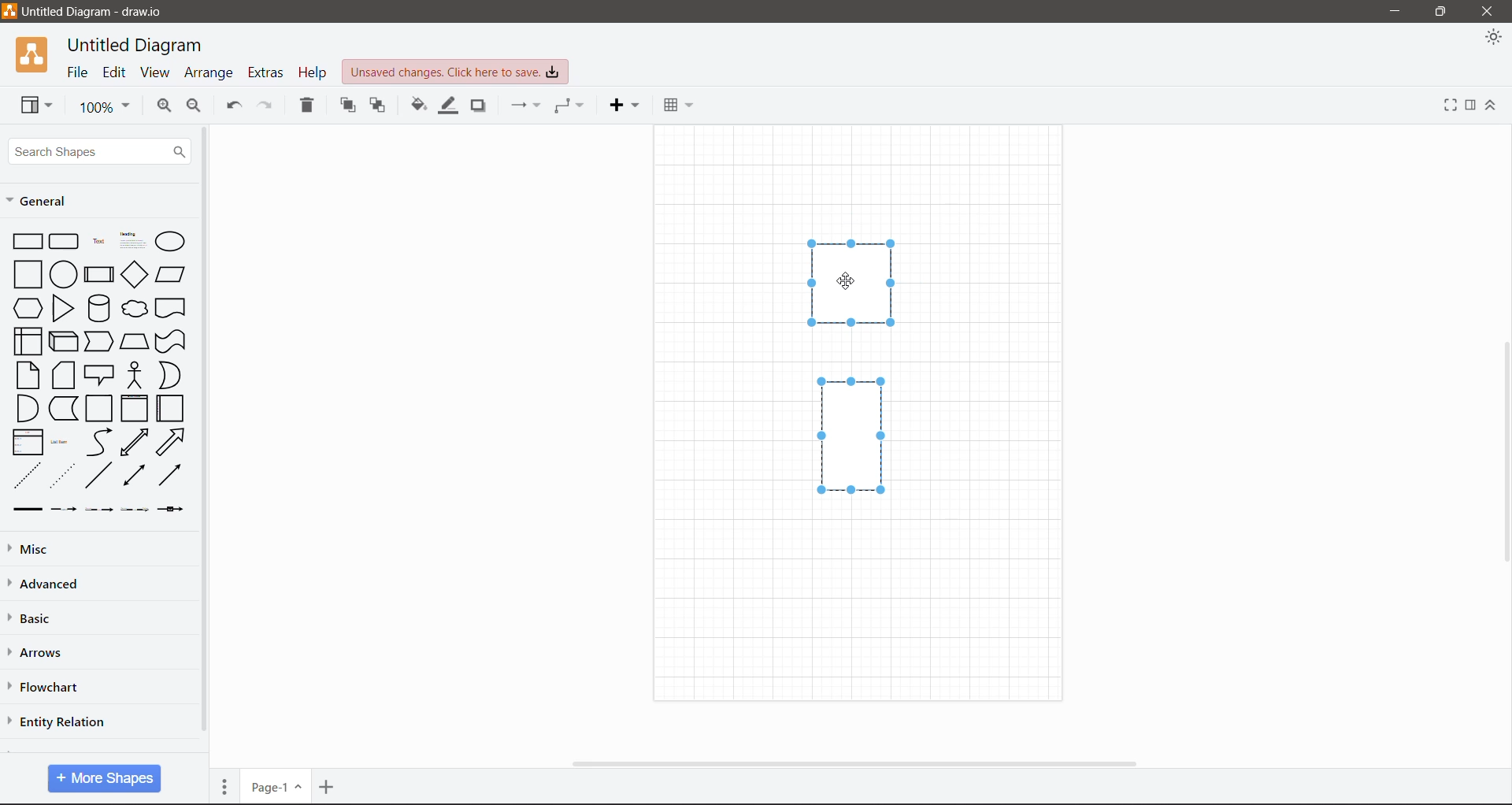  What do you see at coordinates (1492, 39) in the screenshot?
I see `Appearance` at bounding box center [1492, 39].